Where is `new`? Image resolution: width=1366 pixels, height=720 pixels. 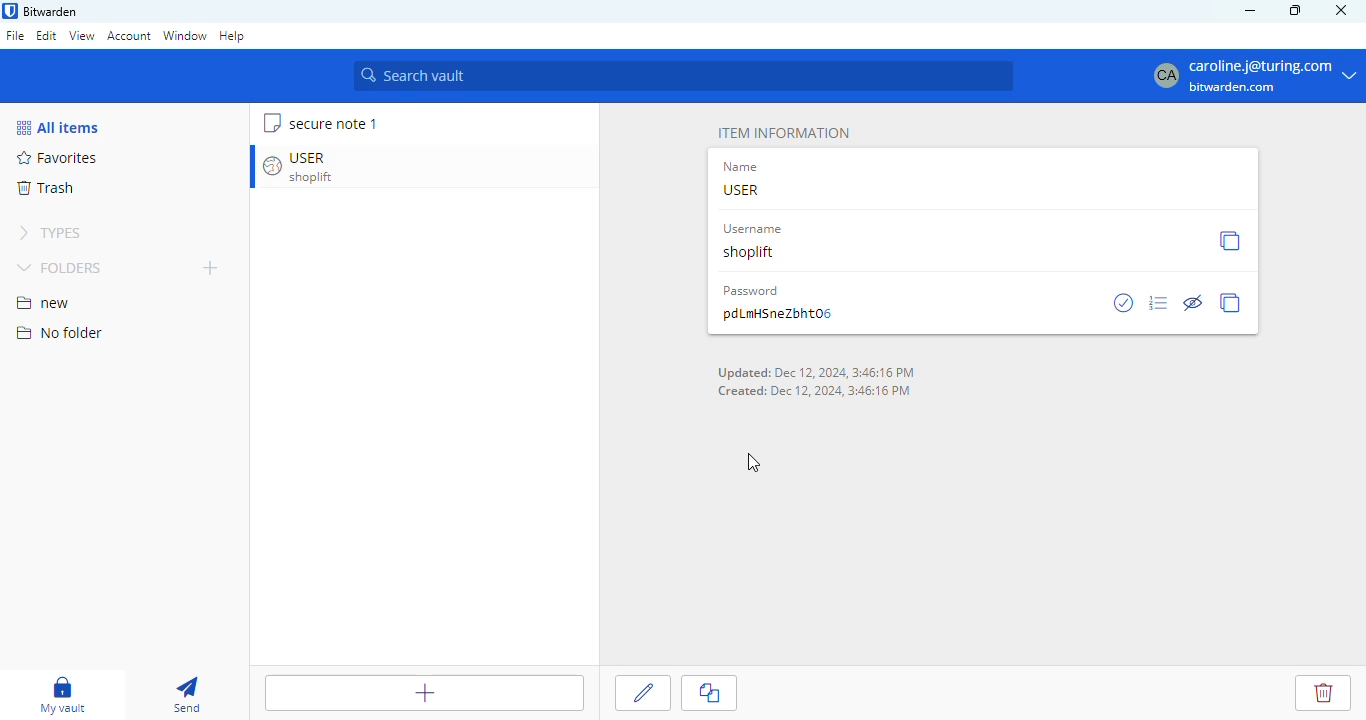
new is located at coordinates (44, 303).